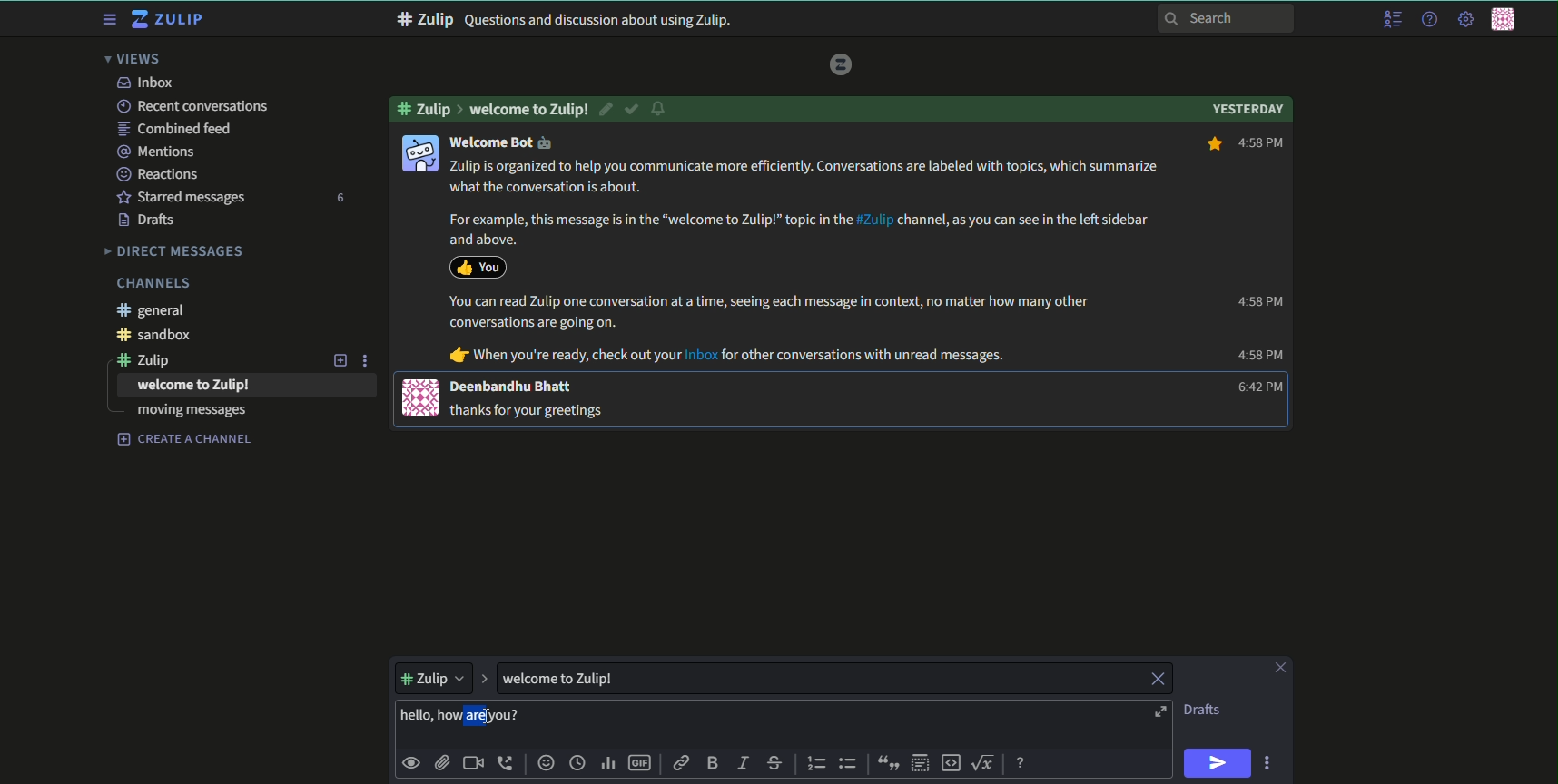 The image size is (1558, 784). What do you see at coordinates (529, 109) in the screenshot?
I see `welcome to zulip!` at bounding box center [529, 109].